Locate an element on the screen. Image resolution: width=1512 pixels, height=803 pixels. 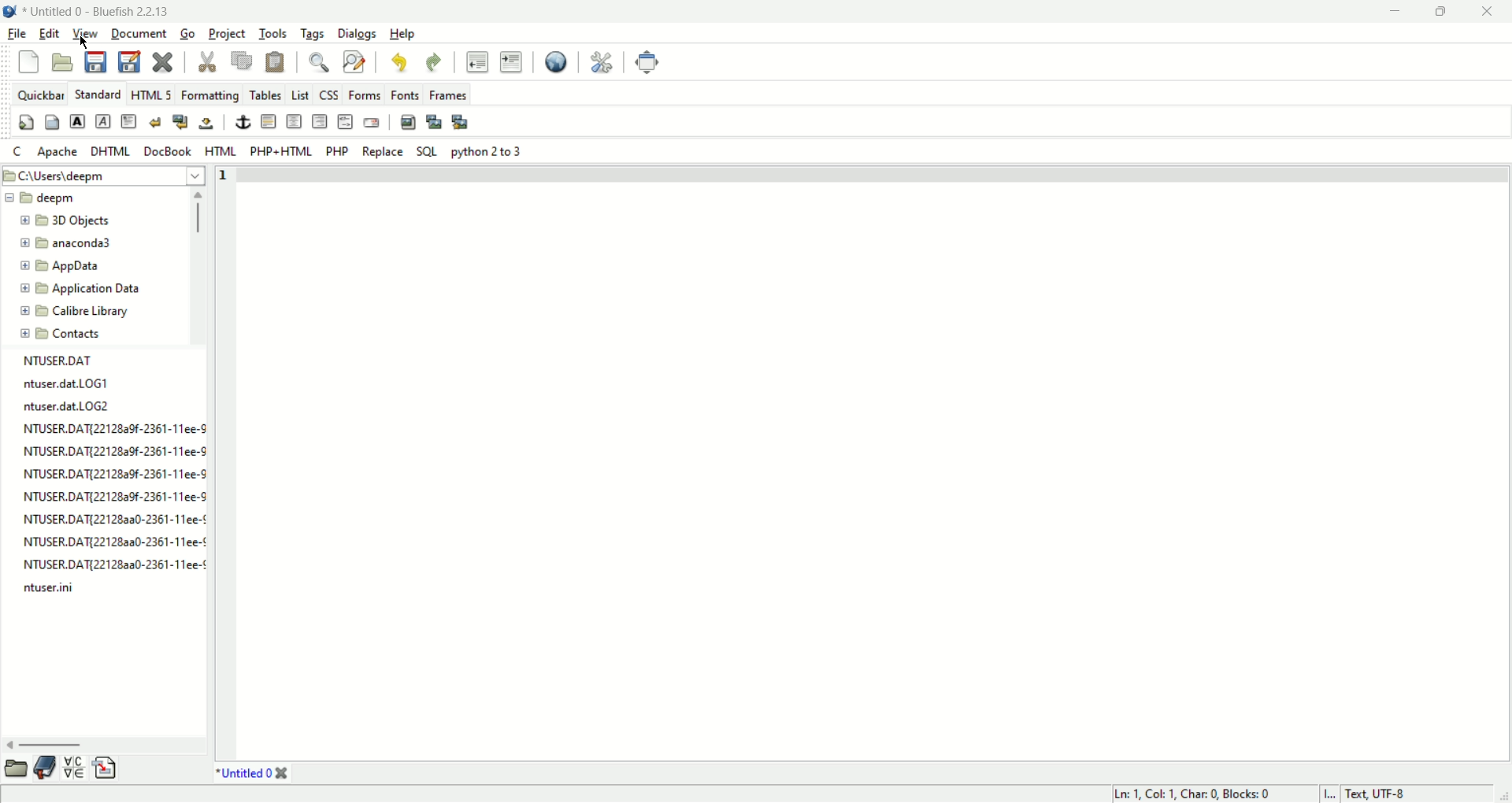
anchor is located at coordinates (240, 122).